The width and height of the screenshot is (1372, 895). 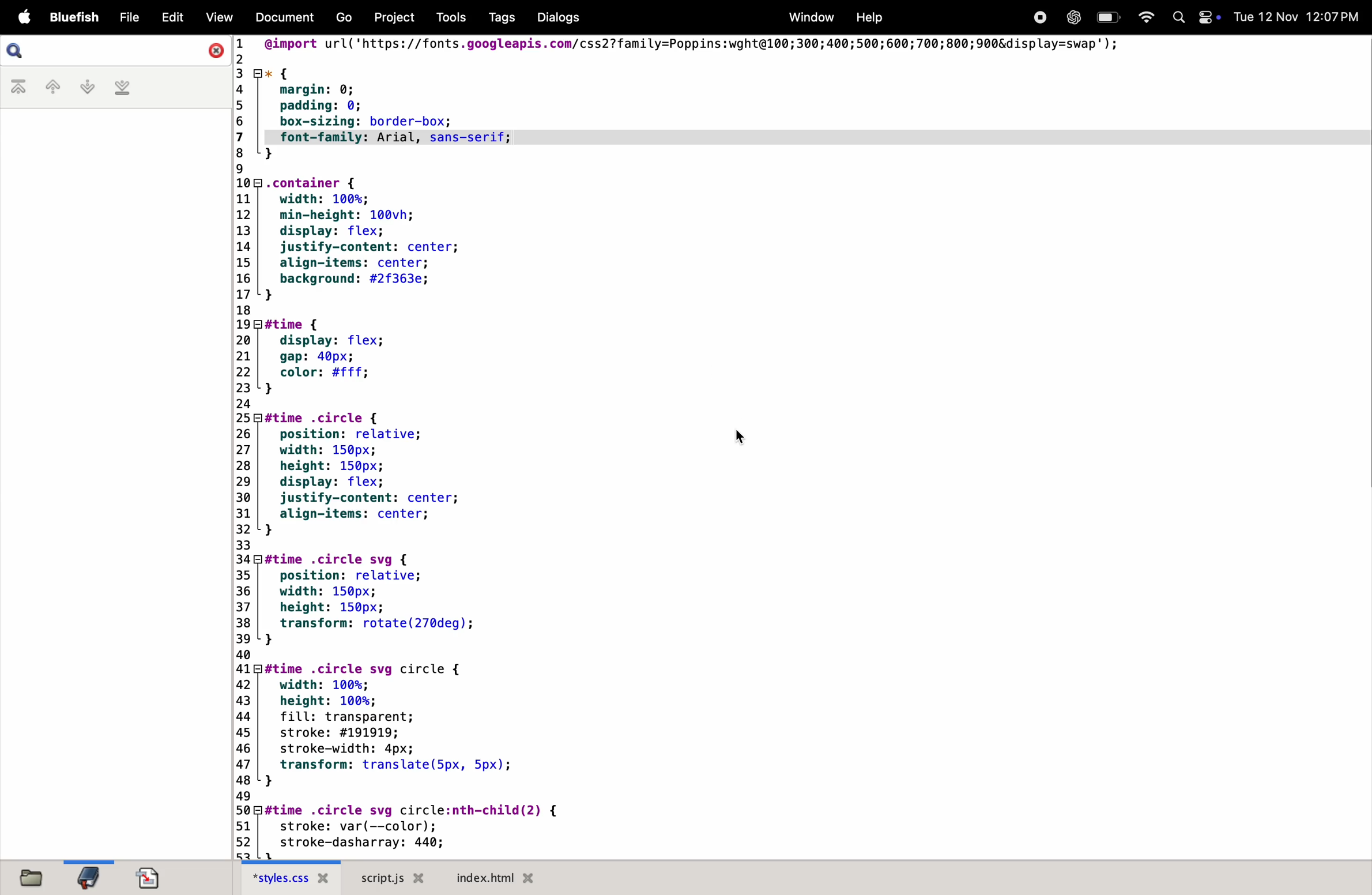 I want to click on previous bookmark, so click(x=46, y=87).